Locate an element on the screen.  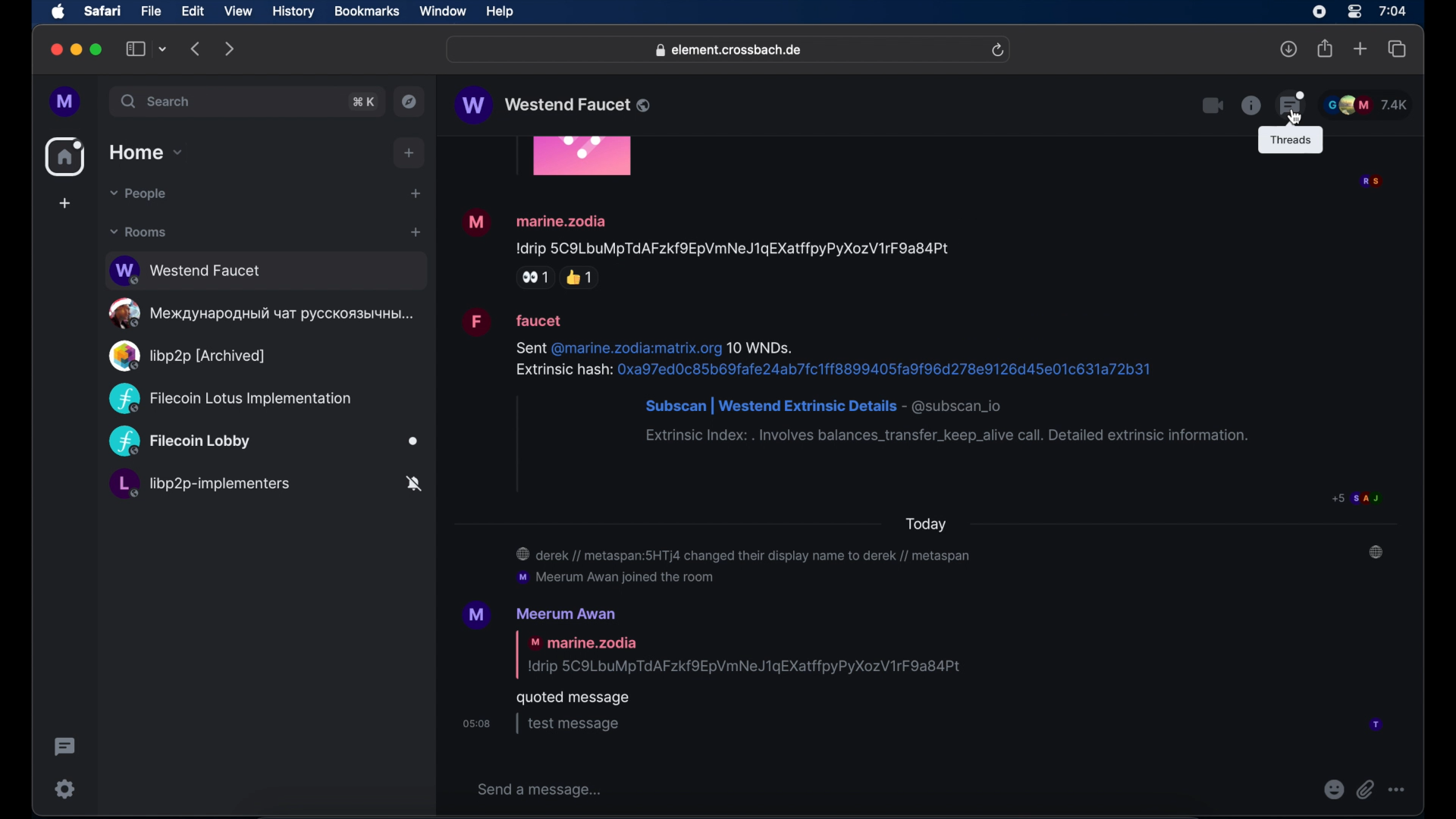
control center is located at coordinates (1355, 11).